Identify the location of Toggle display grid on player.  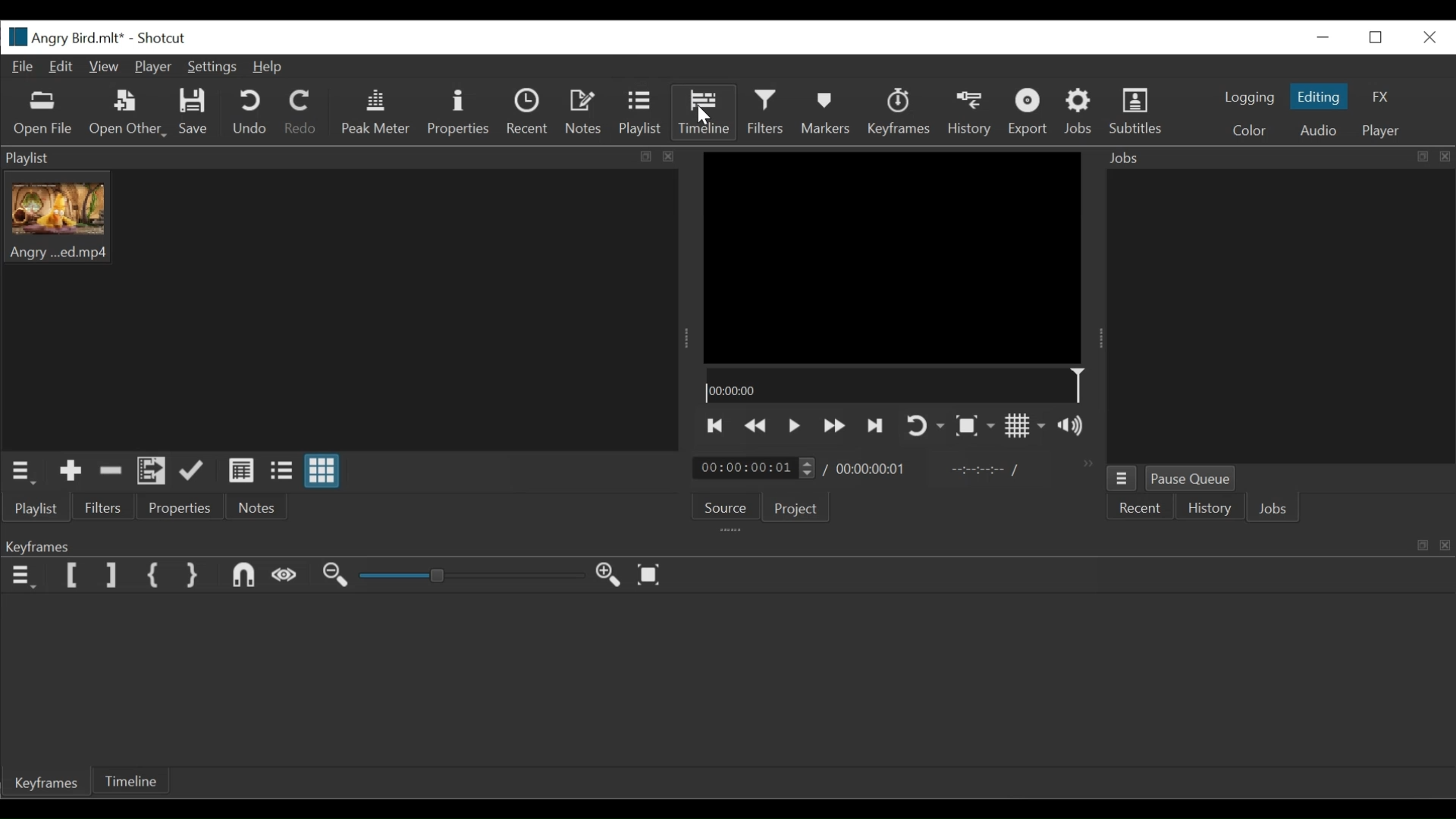
(1026, 426).